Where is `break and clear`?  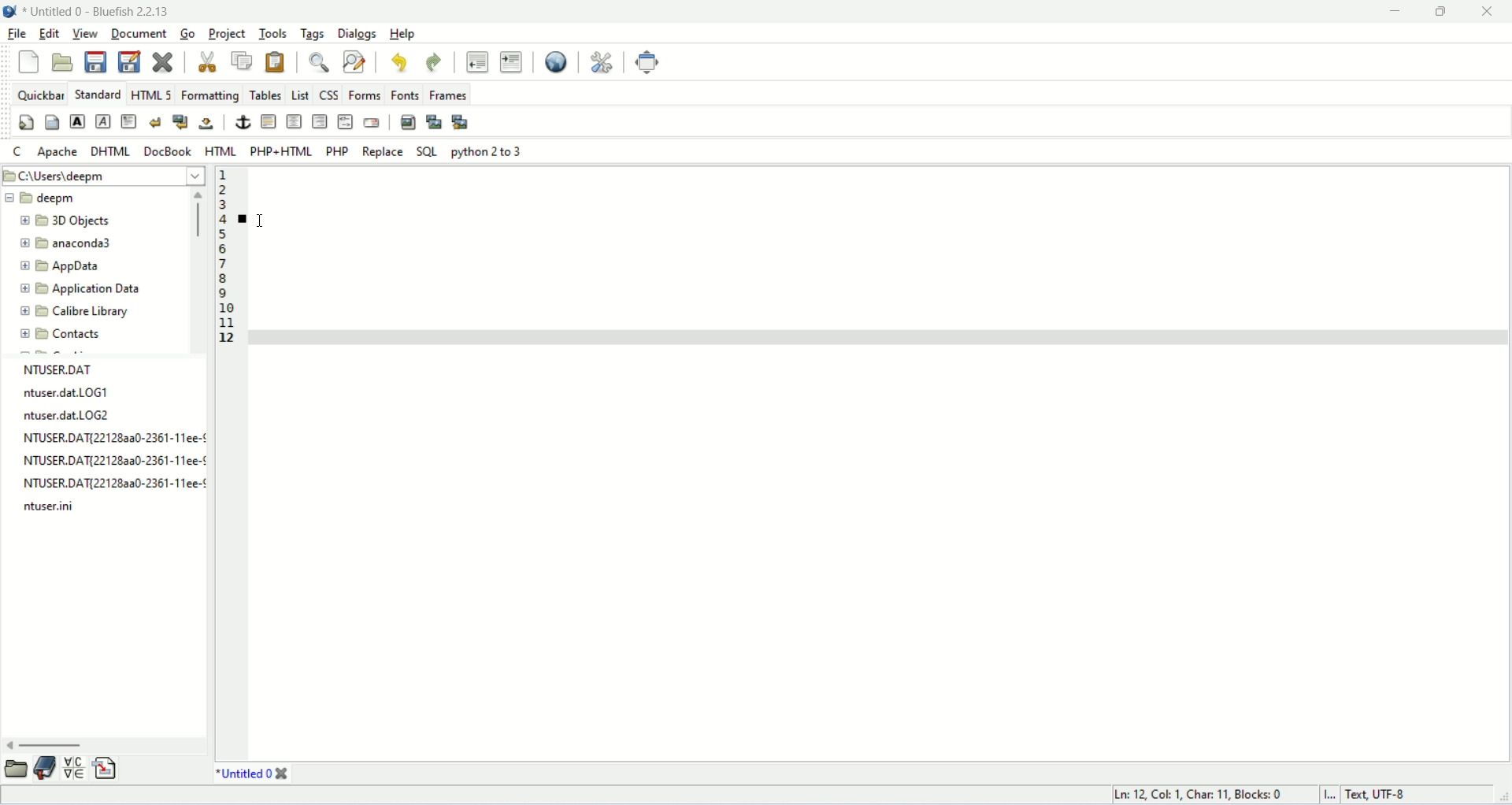
break and clear is located at coordinates (180, 123).